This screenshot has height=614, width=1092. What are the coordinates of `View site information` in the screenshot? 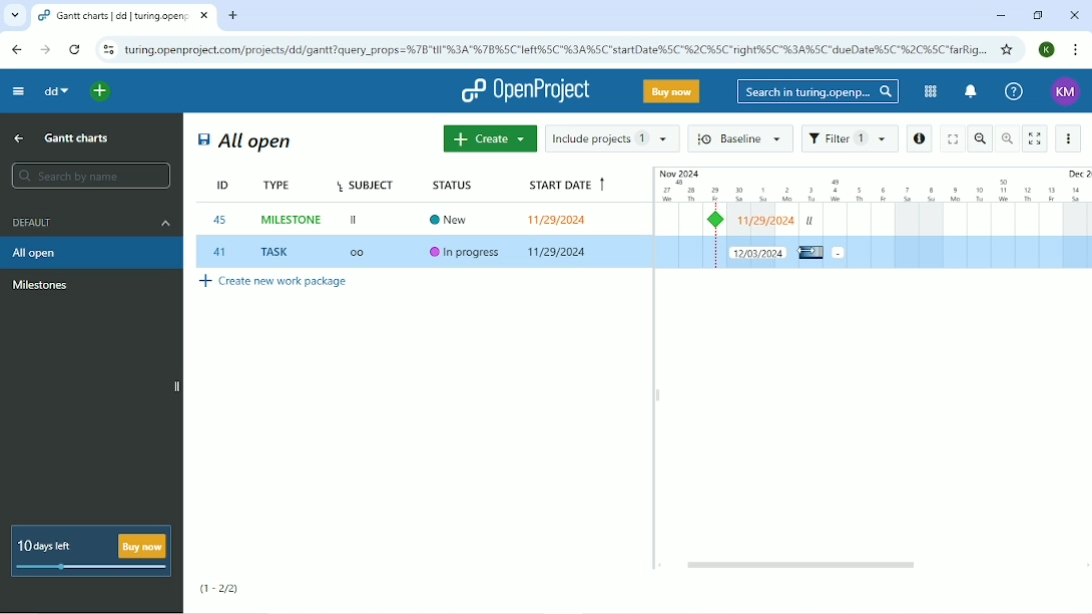 It's located at (107, 50).